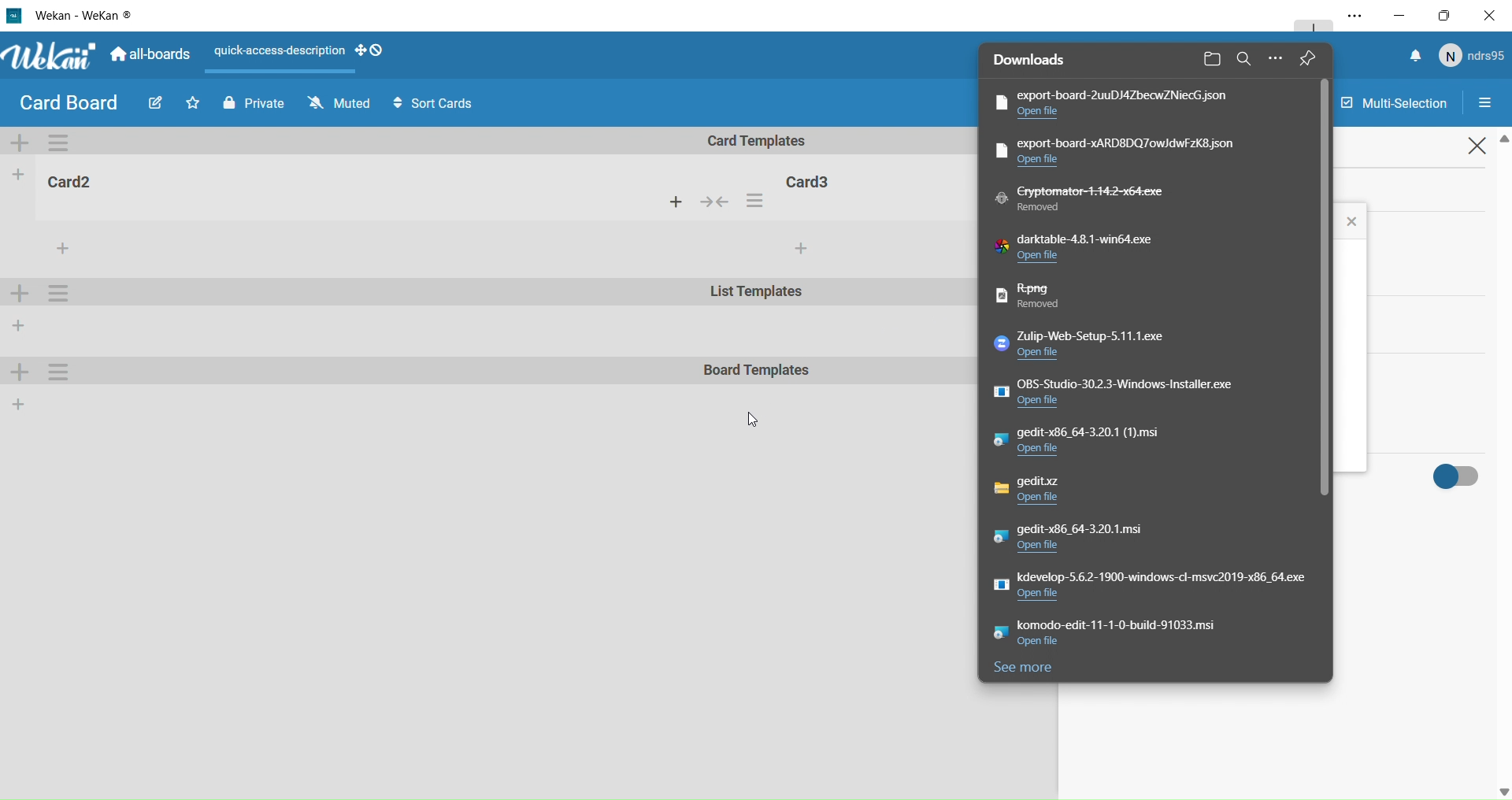  What do you see at coordinates (1354, 220) in the screenshot?
I see `close` at bounding box center [1354, 220].